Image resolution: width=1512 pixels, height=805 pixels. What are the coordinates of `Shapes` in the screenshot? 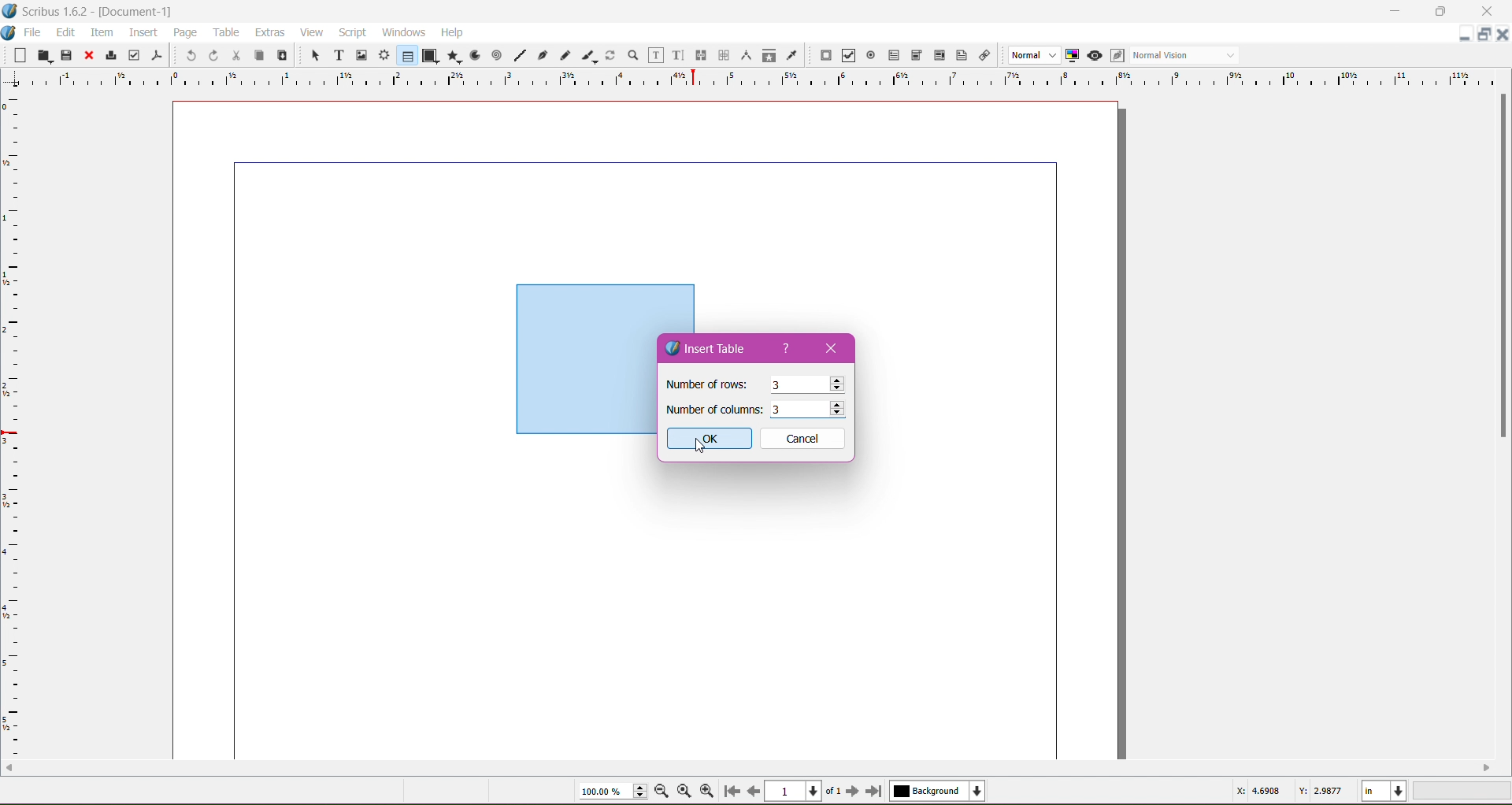 It's located at (429, 55).